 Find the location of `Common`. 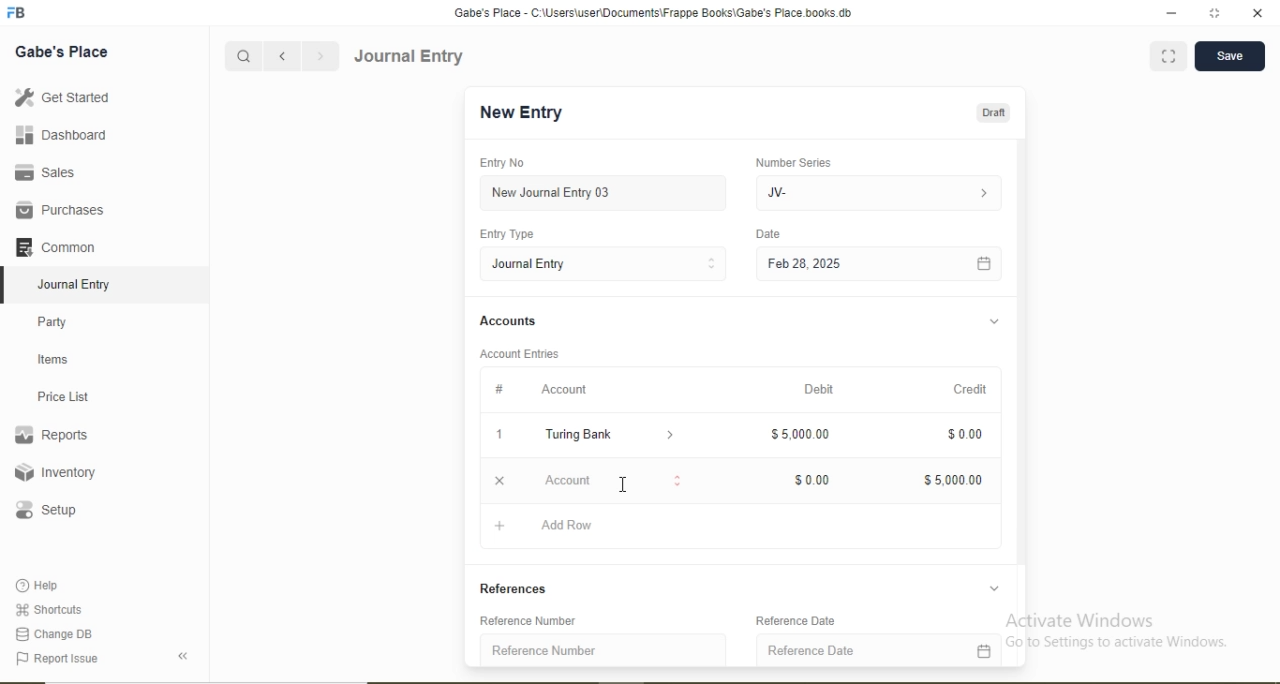

Common is located at coordinates (54, 246).